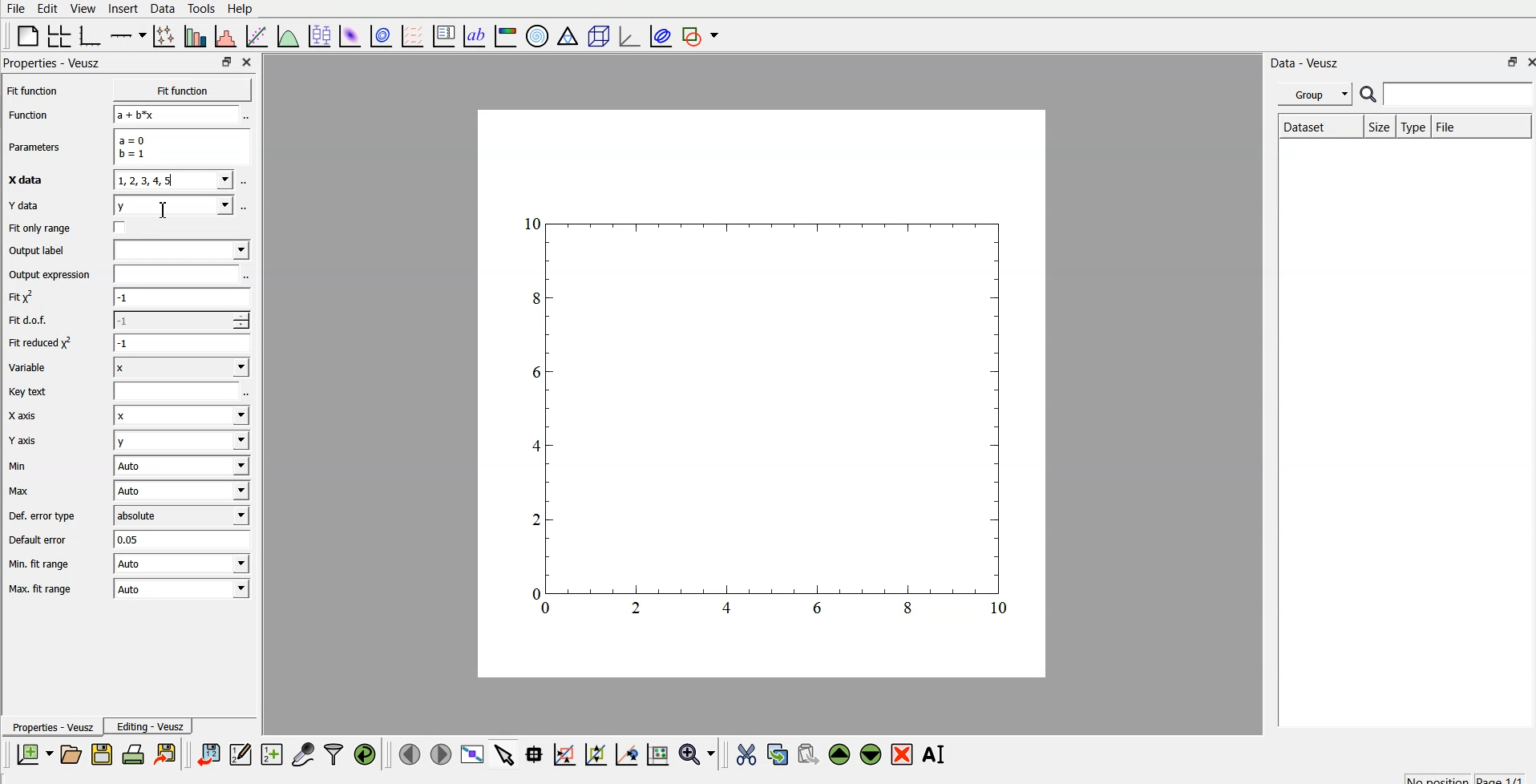 Image resolution: width=1536 pixels, height=784 pixels. Describe the element at coordinates (745, 757) in the screenshot. I see `cut the selected widget` at that location.